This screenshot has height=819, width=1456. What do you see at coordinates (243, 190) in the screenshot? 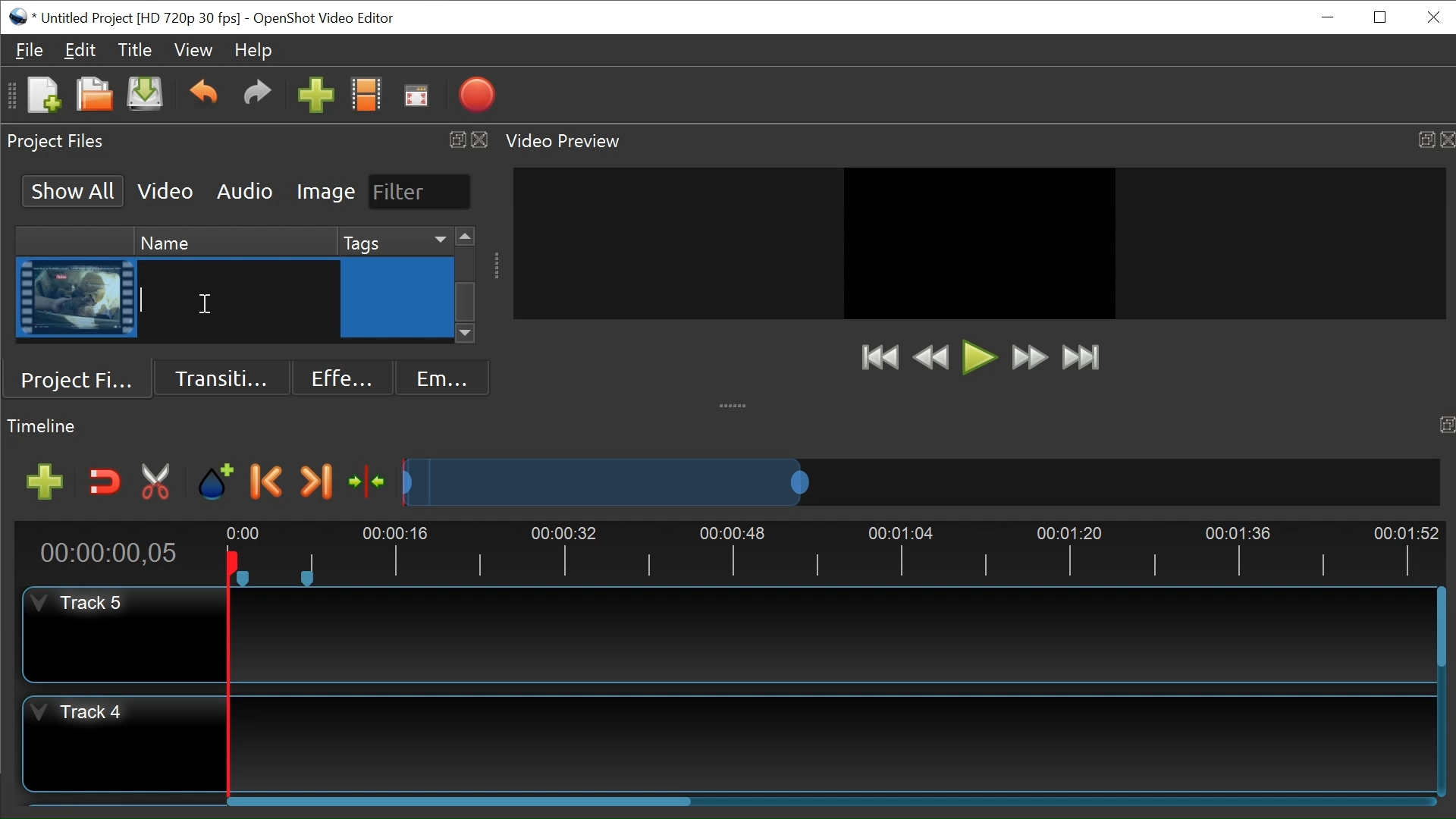
I see `Audio` at bounding box center [243, 190].